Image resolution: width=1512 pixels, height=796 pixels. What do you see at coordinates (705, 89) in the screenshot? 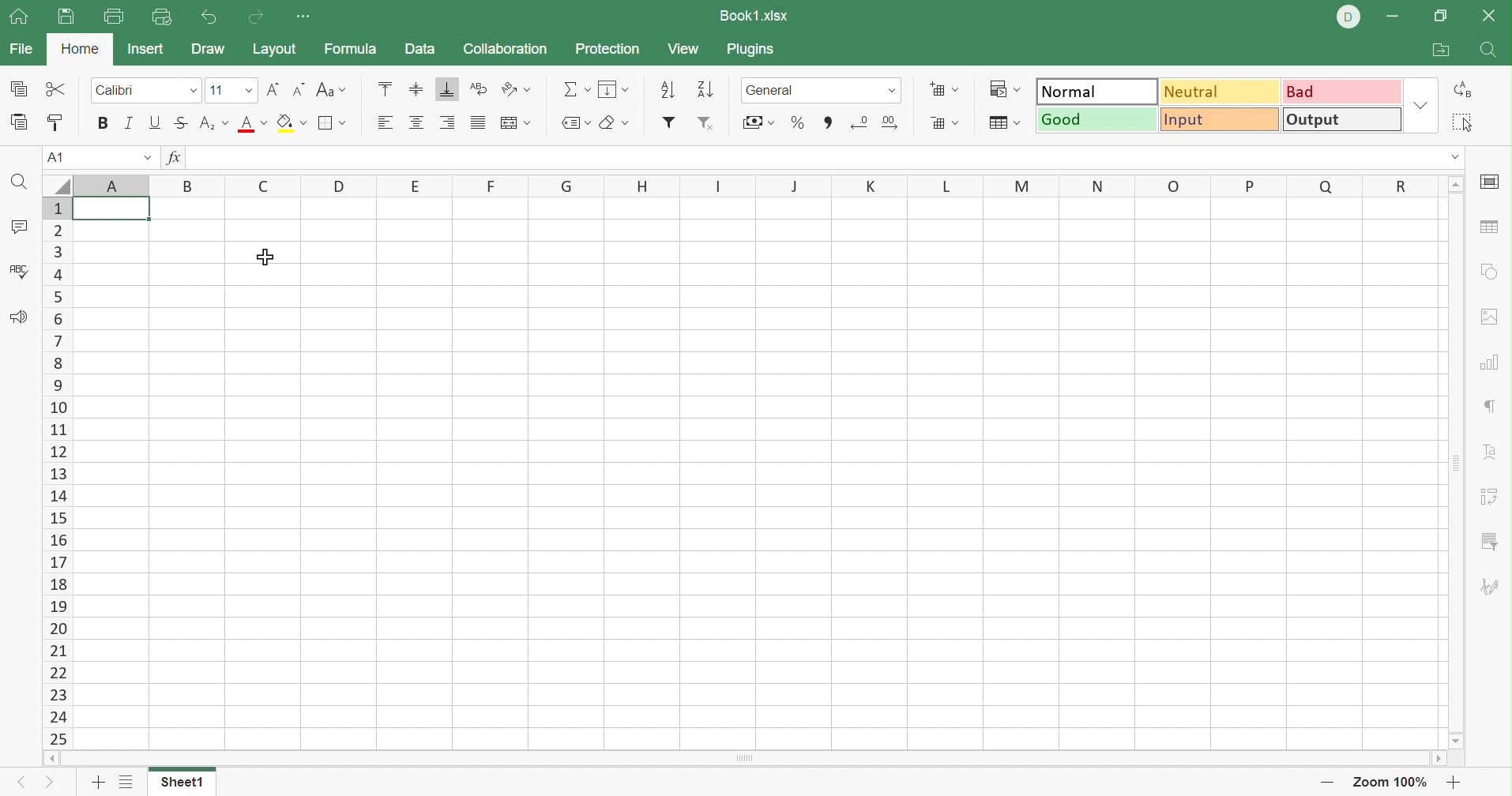
I see `Sort descending` at bounding box center [705, 89].